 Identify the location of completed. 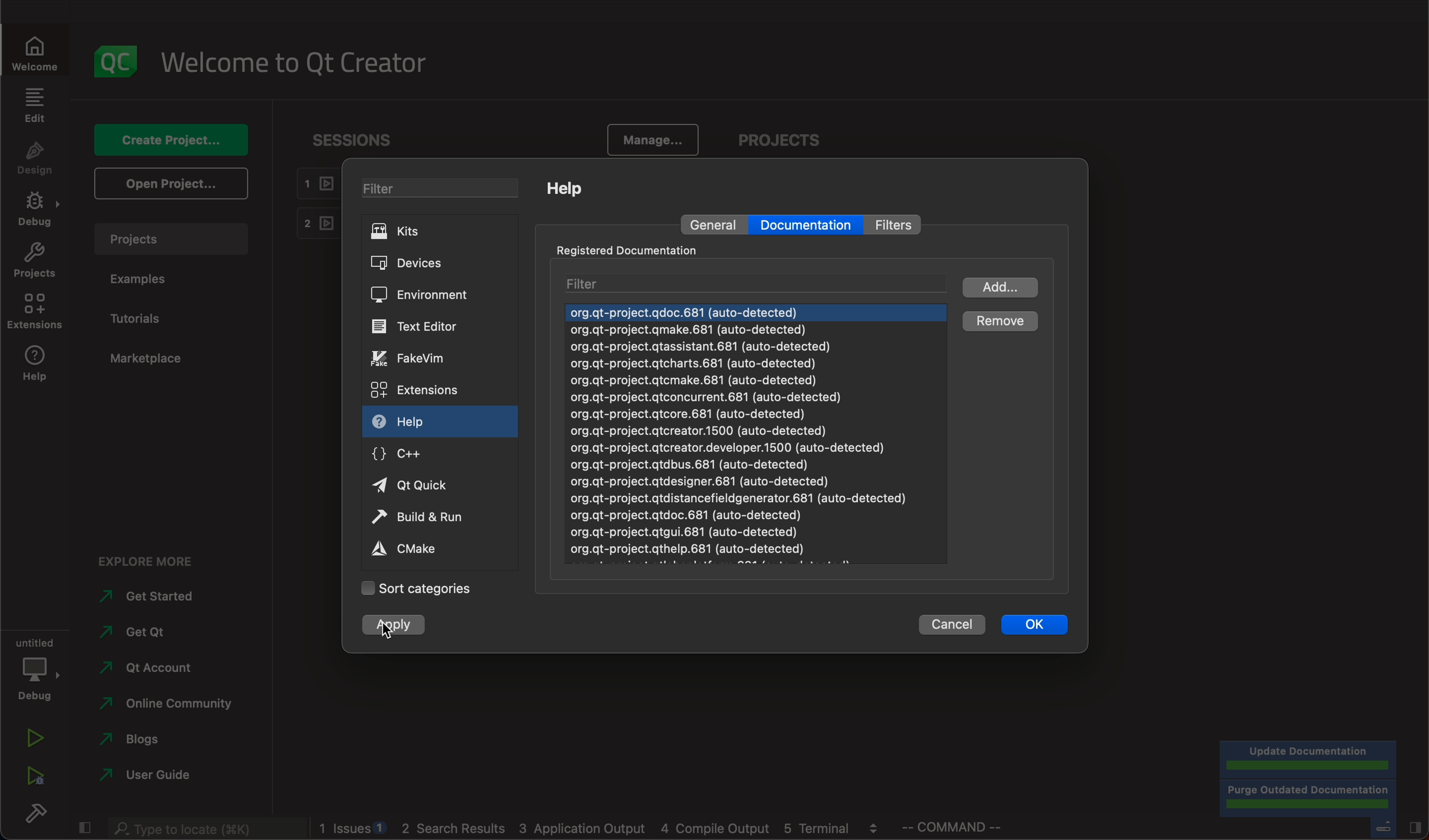
(1308, 780).